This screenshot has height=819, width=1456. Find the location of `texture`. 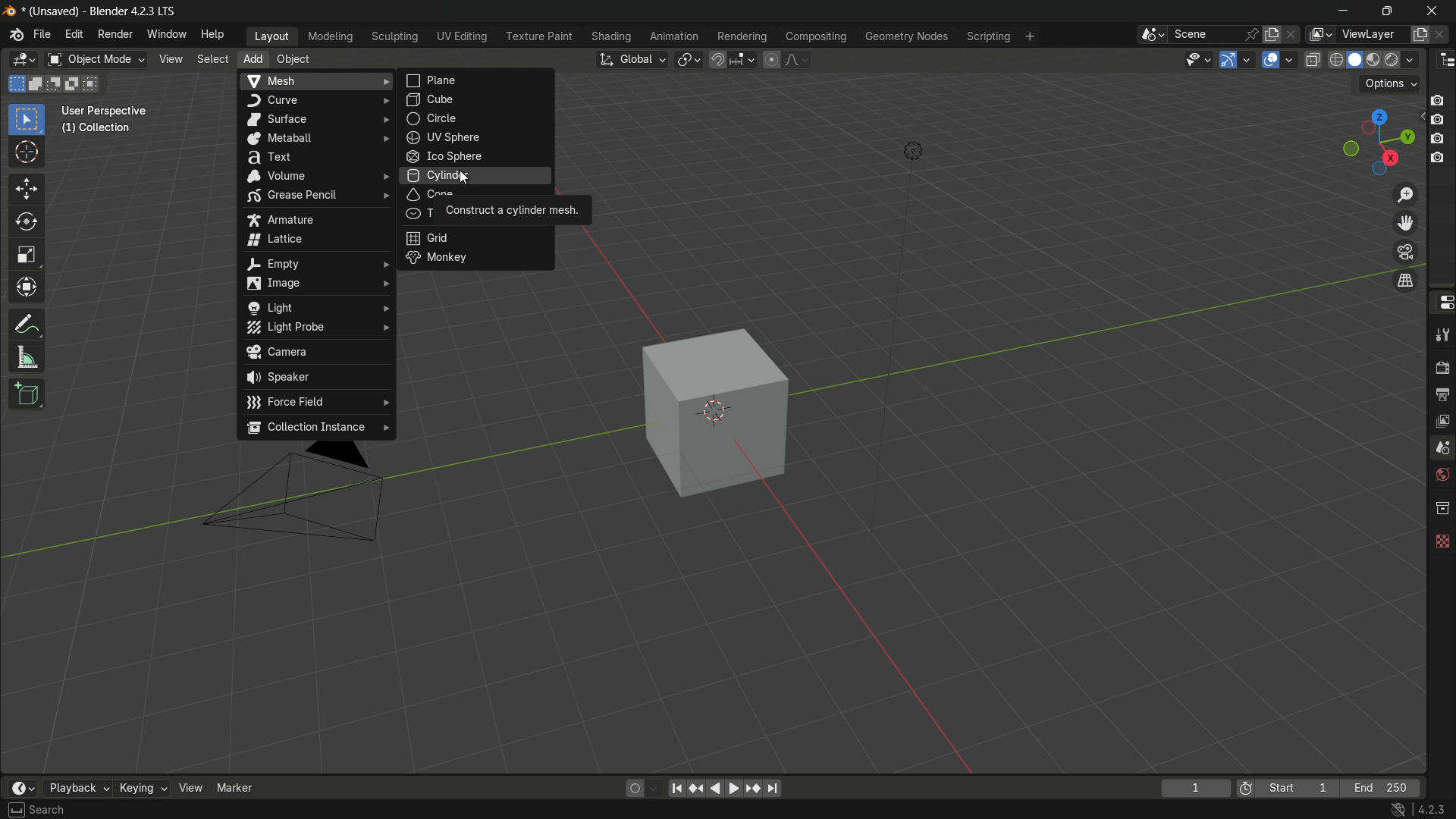

texture is located at coordinates (1441, 541).